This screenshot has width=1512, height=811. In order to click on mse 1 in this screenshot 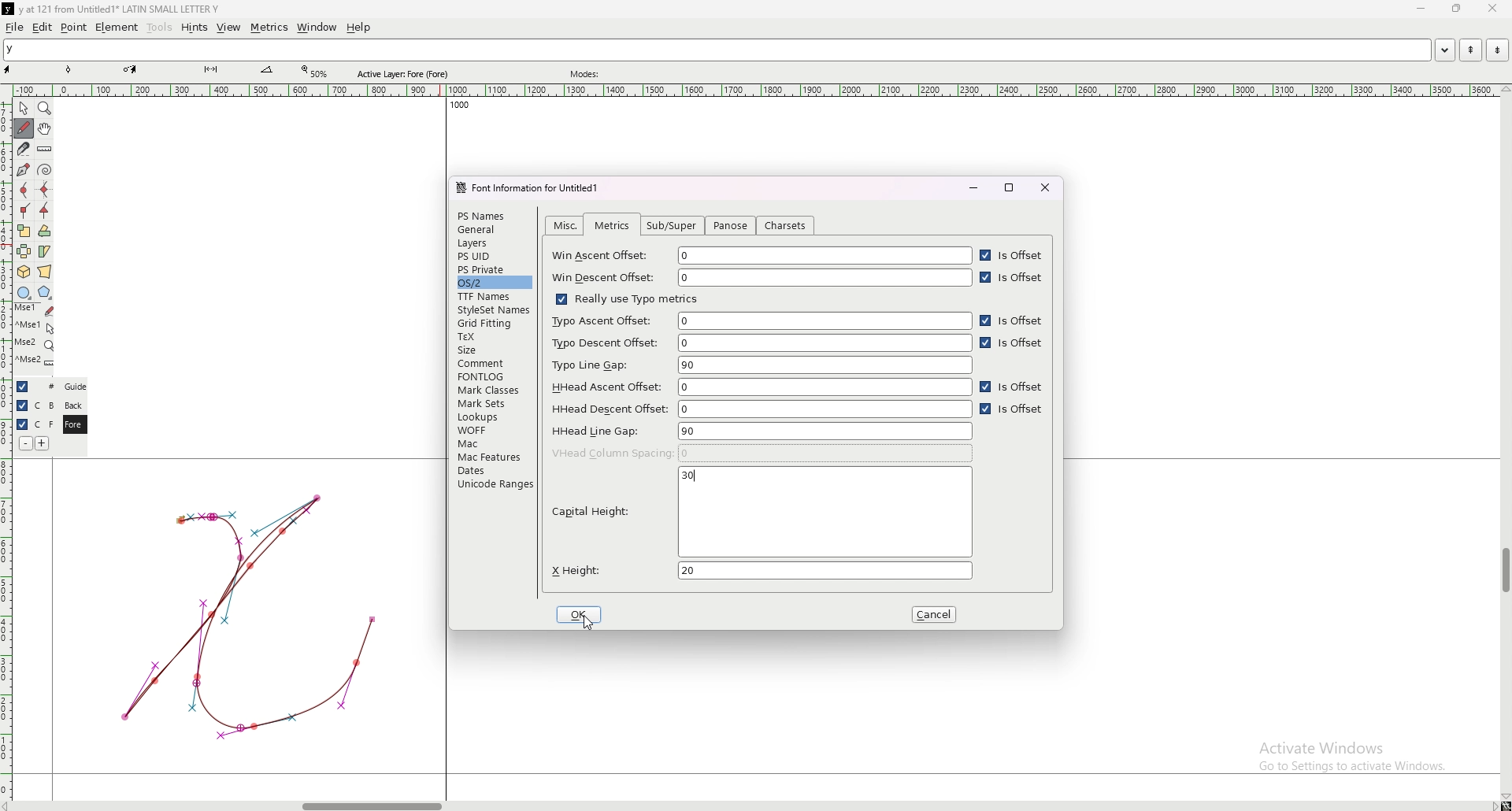, I will do `click(34, 309)`.